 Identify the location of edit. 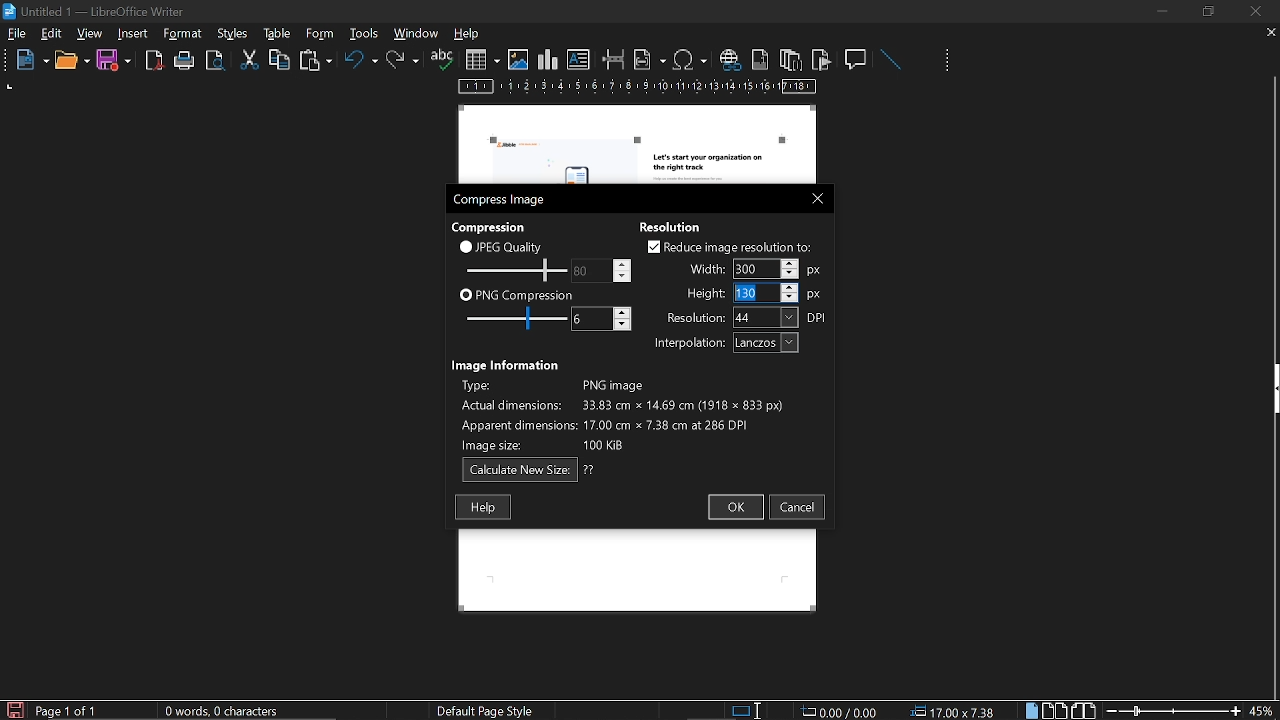
(52, 35).